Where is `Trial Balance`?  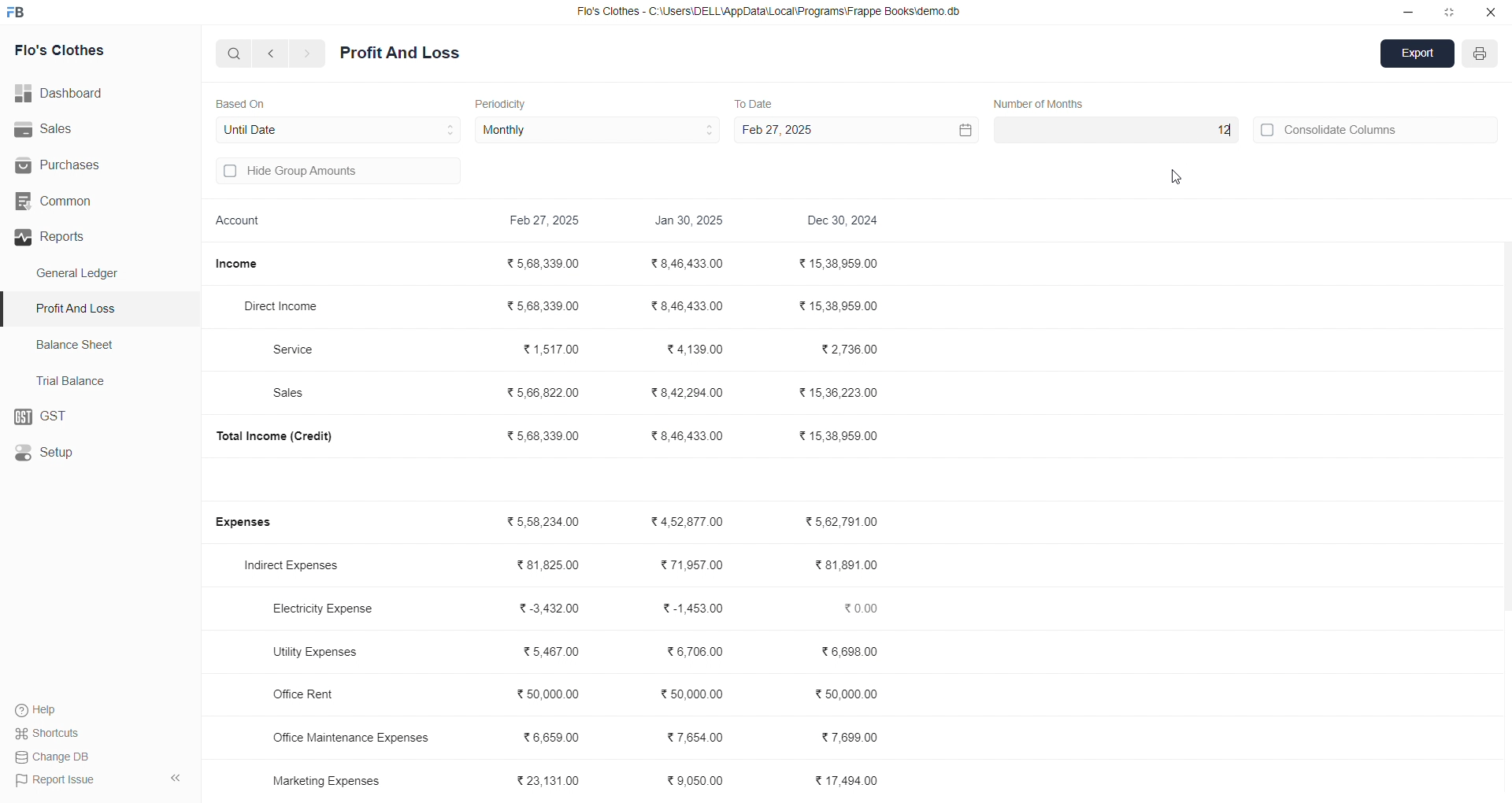 Trial Balance is located at coordinates (76, 380).